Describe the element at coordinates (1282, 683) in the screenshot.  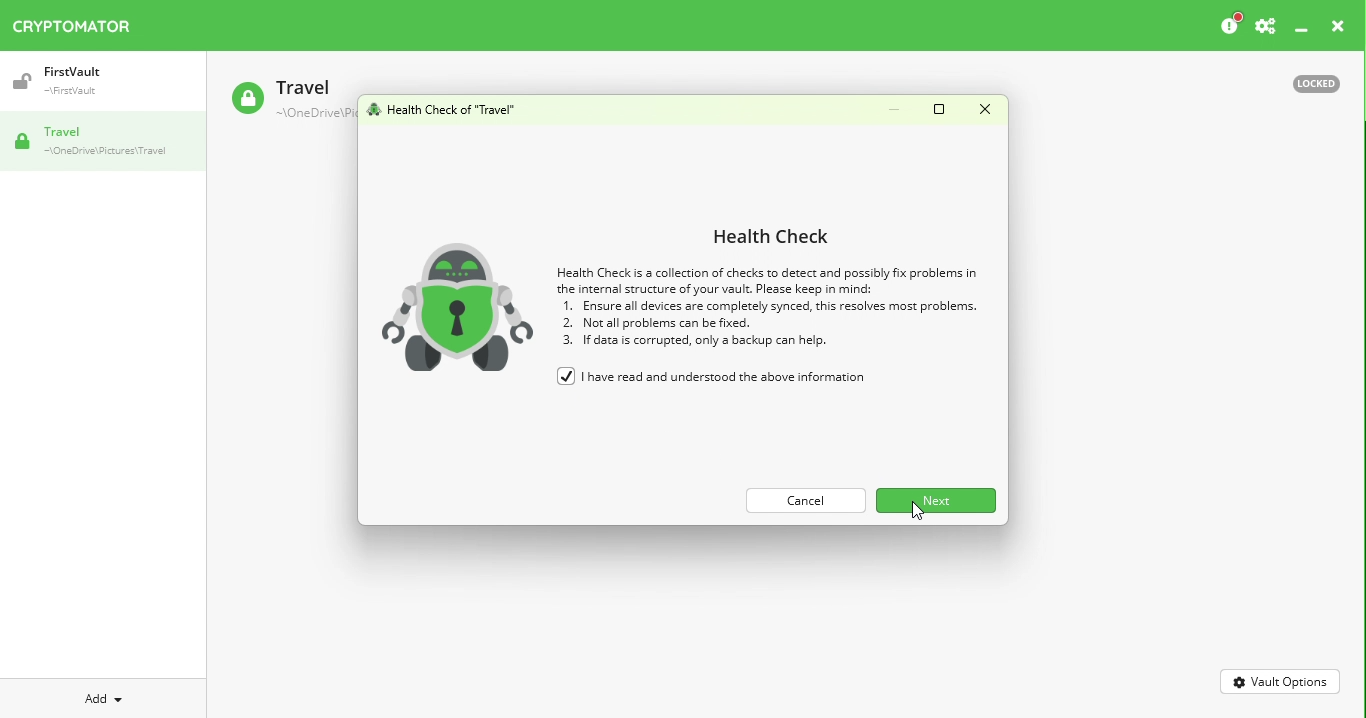
I see `Vault Options` at that location.